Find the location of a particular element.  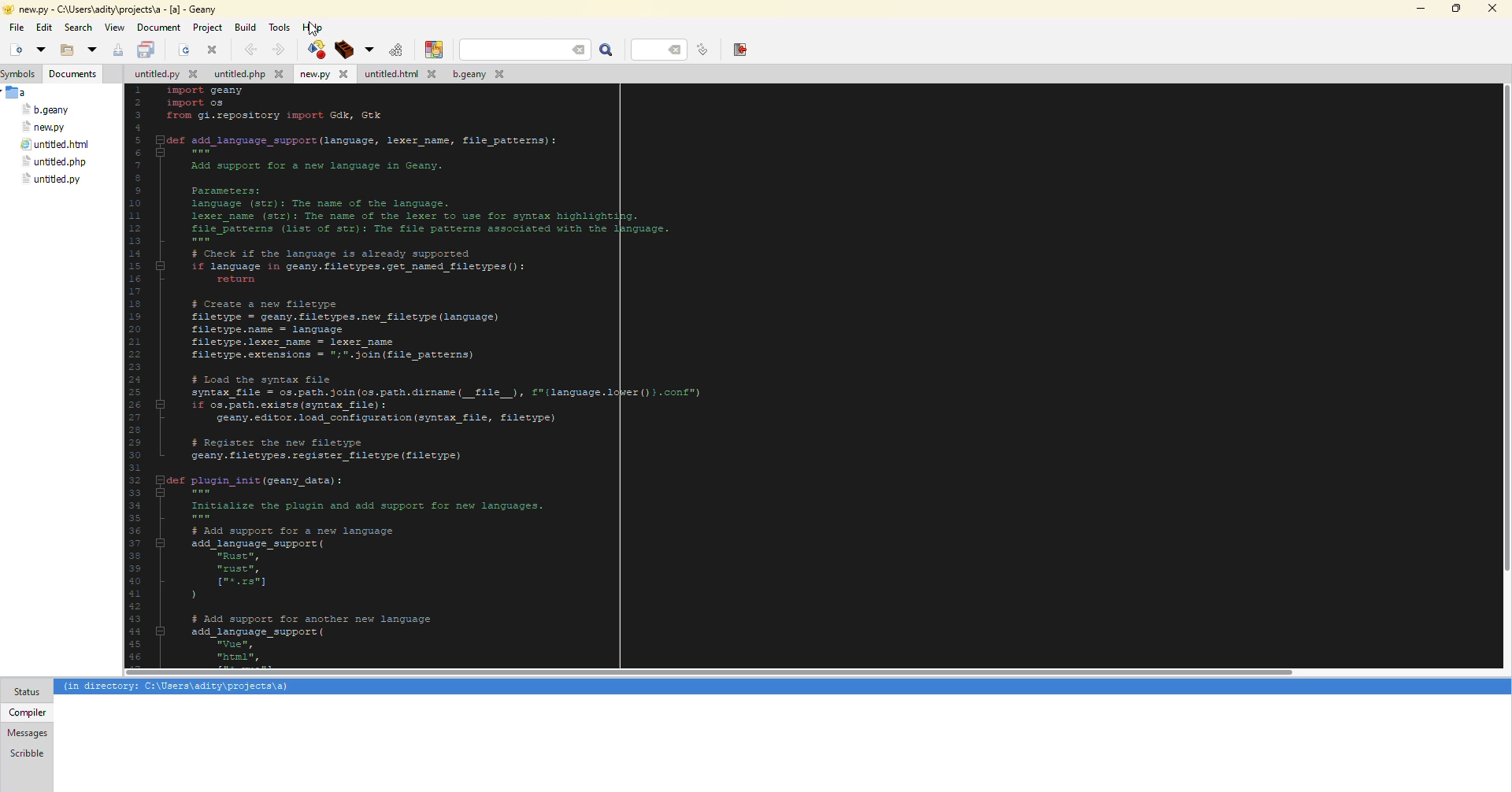

file is located at coordinates (53, 162).